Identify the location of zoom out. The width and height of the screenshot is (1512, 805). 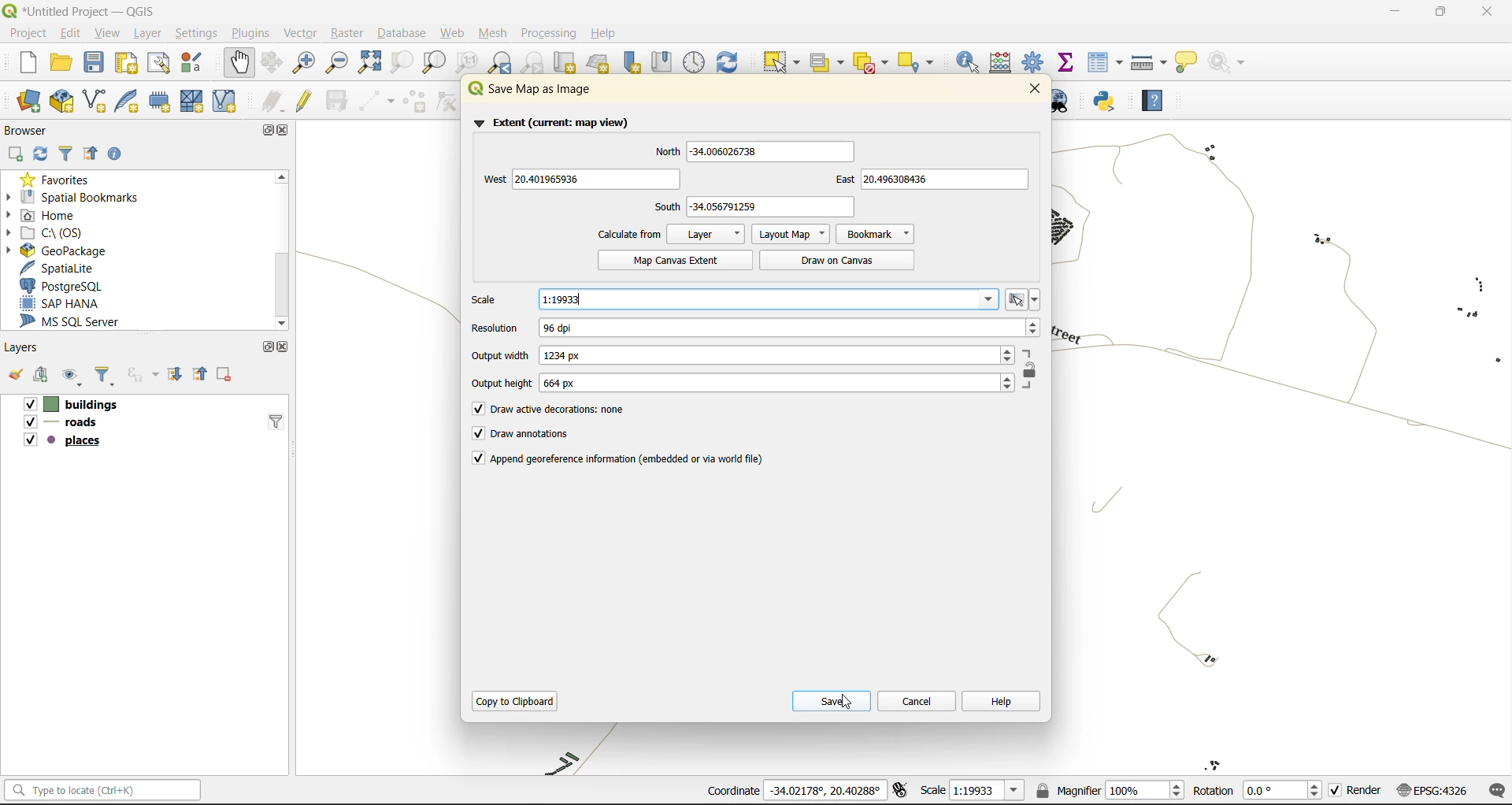
(337, 64).